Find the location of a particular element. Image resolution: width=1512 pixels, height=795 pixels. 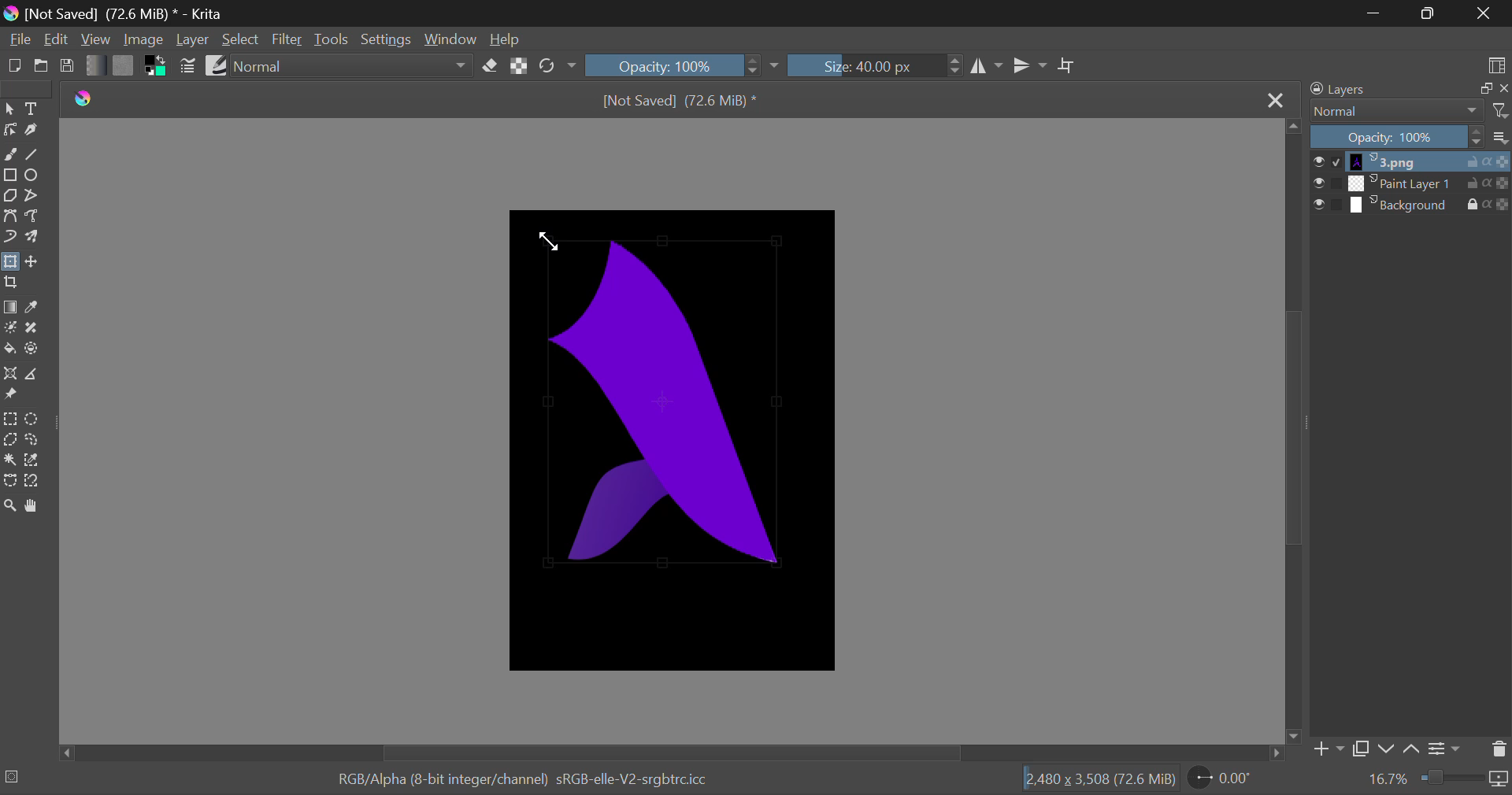

Freehand Tool is located at coordinates (30, 441).